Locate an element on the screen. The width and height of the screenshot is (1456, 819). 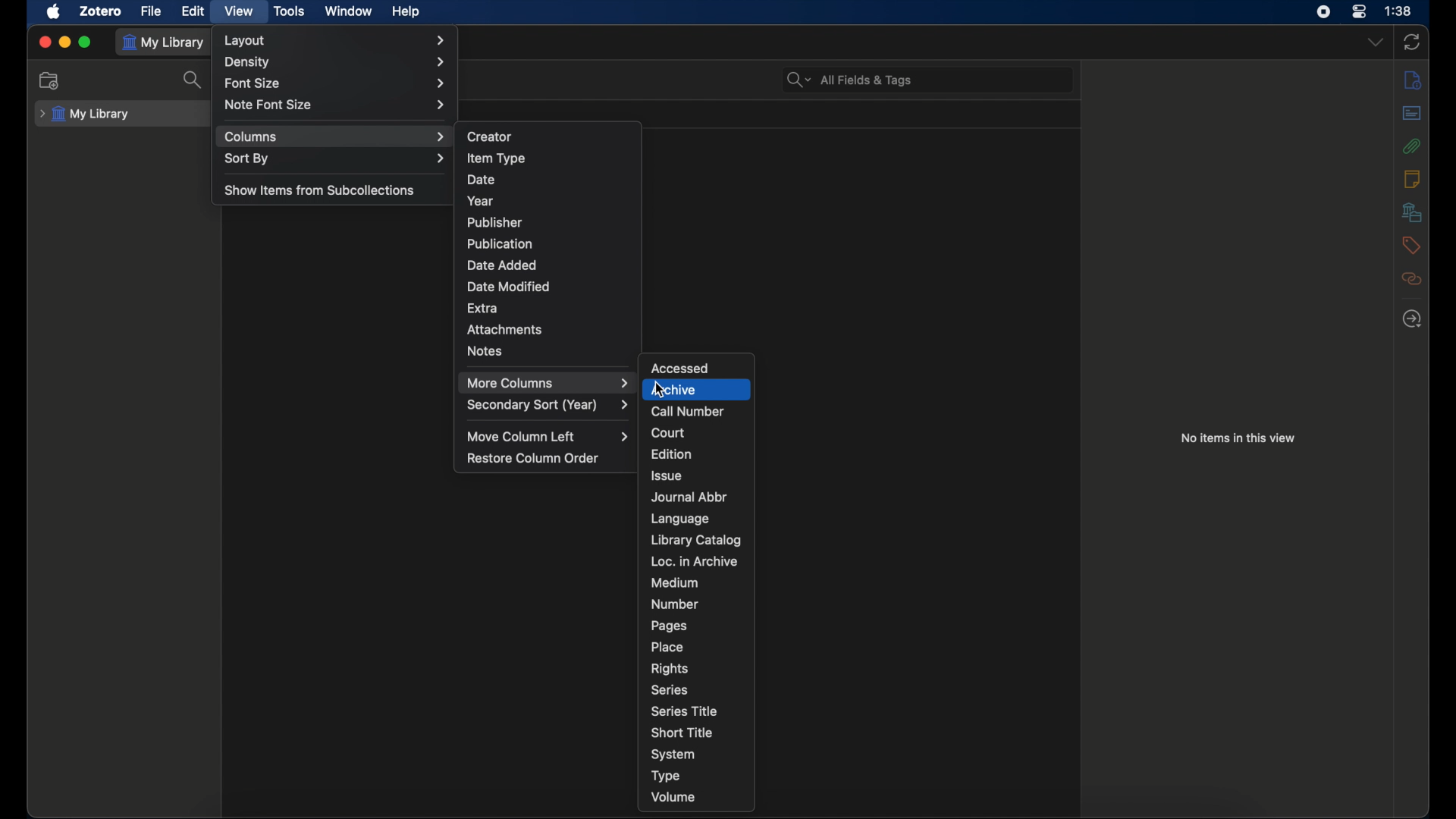
date added is located at coordinates (500, 265).